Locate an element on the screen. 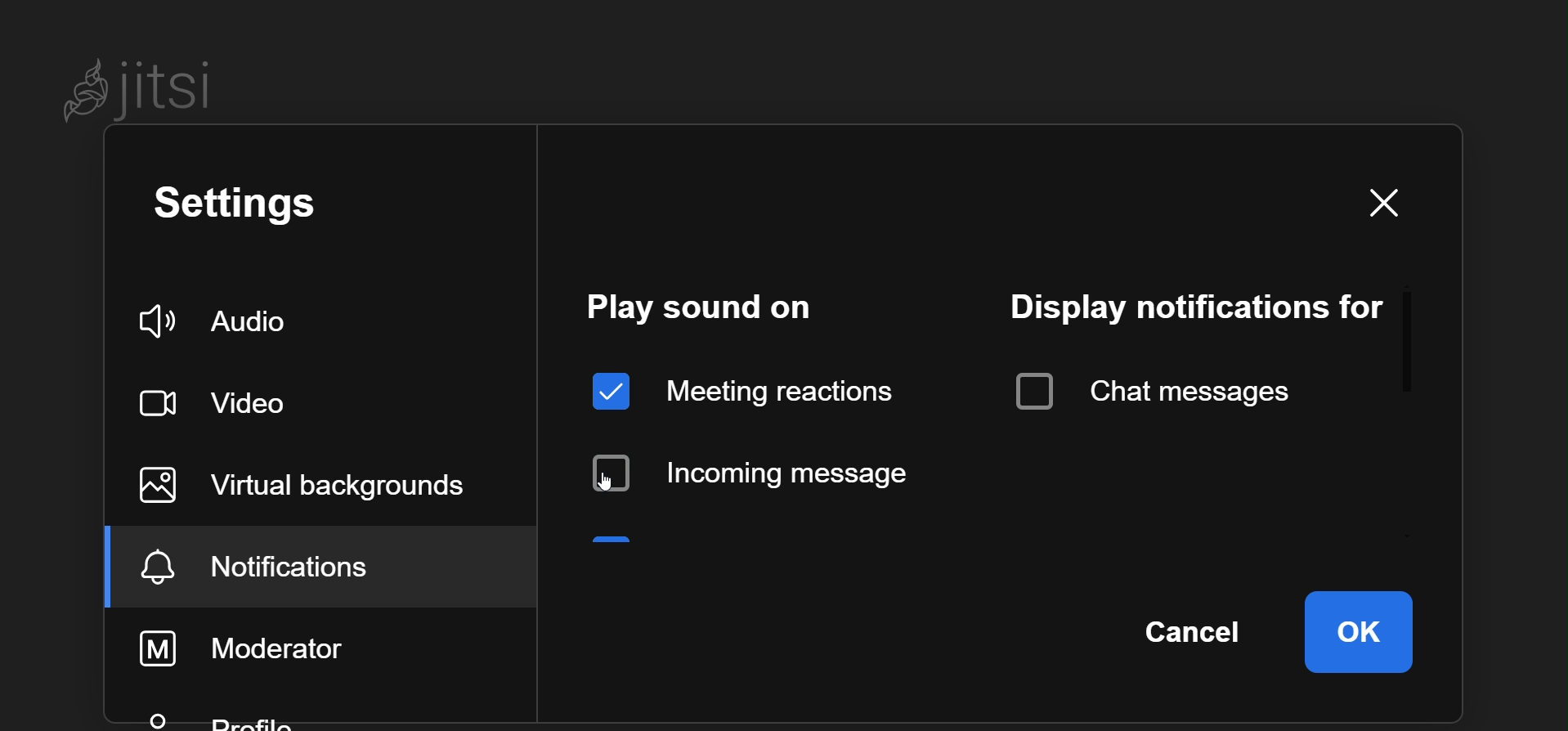  audio is located at coordinates (226, 319).